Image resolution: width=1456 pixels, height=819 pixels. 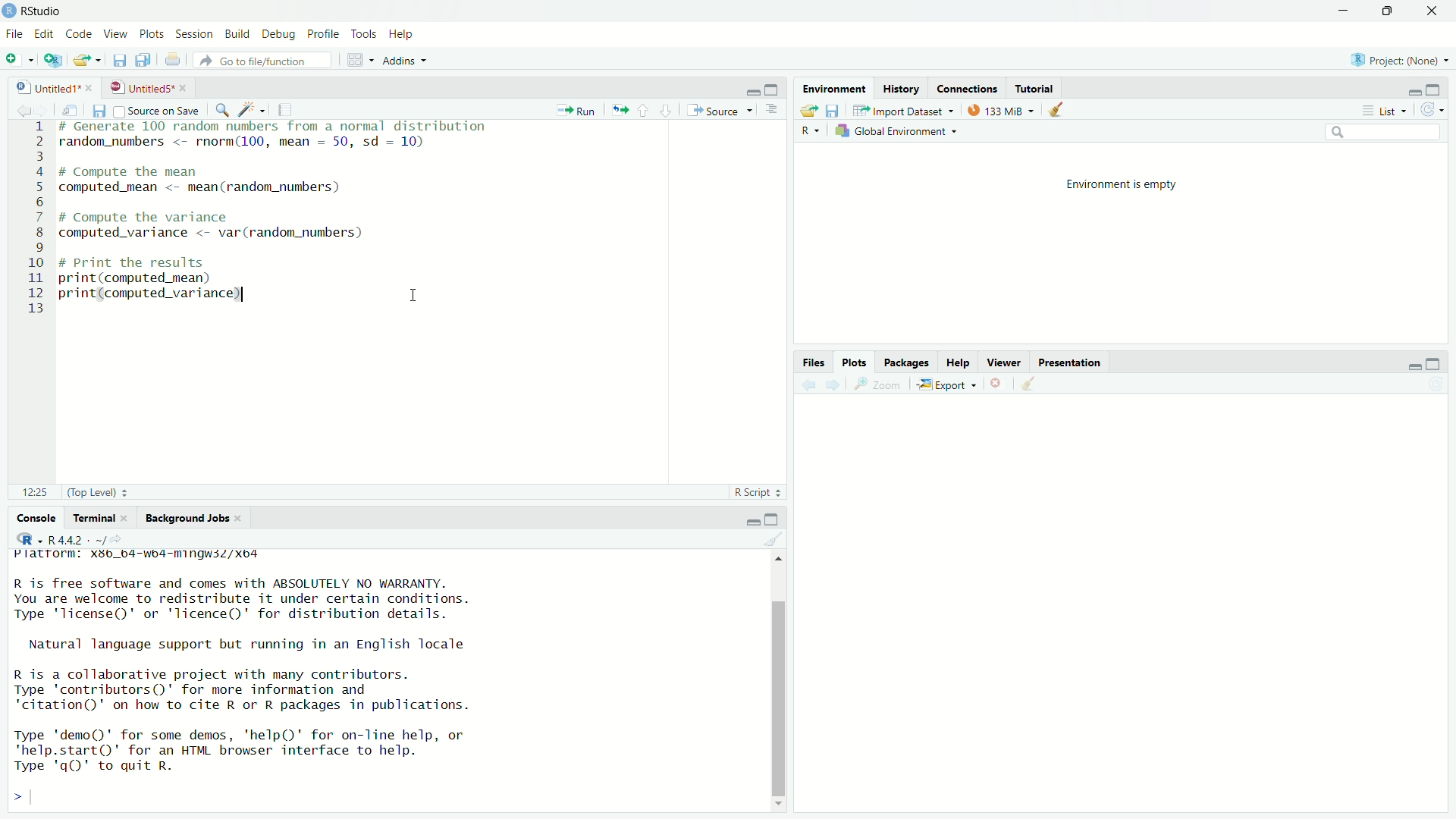 What do you see at coordinates (748, 88) in the screenshot?
I see `minimize` at bounding box center [748, 88].